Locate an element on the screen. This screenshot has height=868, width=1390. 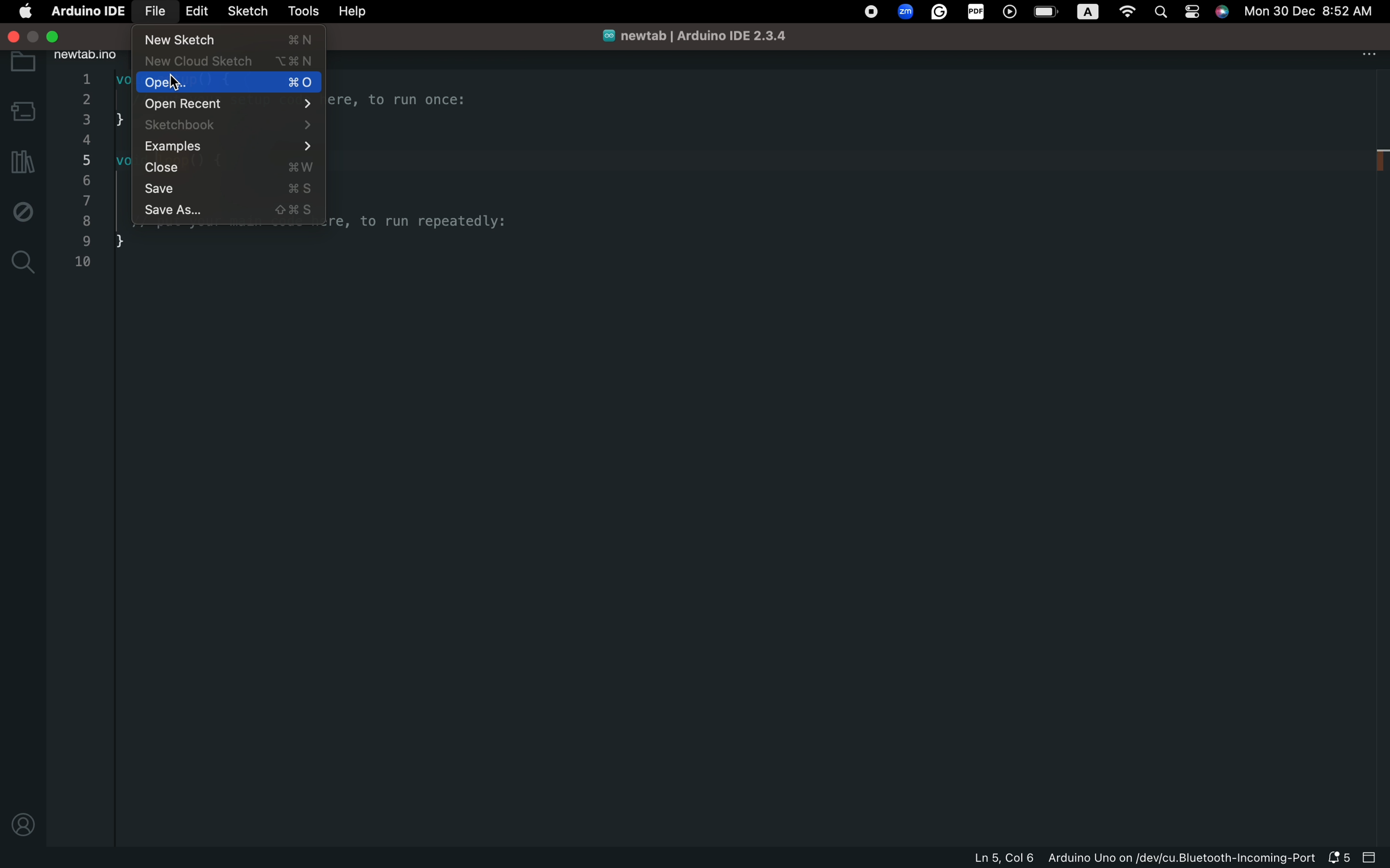
close slide bar is located at coordinates (1373, 858).